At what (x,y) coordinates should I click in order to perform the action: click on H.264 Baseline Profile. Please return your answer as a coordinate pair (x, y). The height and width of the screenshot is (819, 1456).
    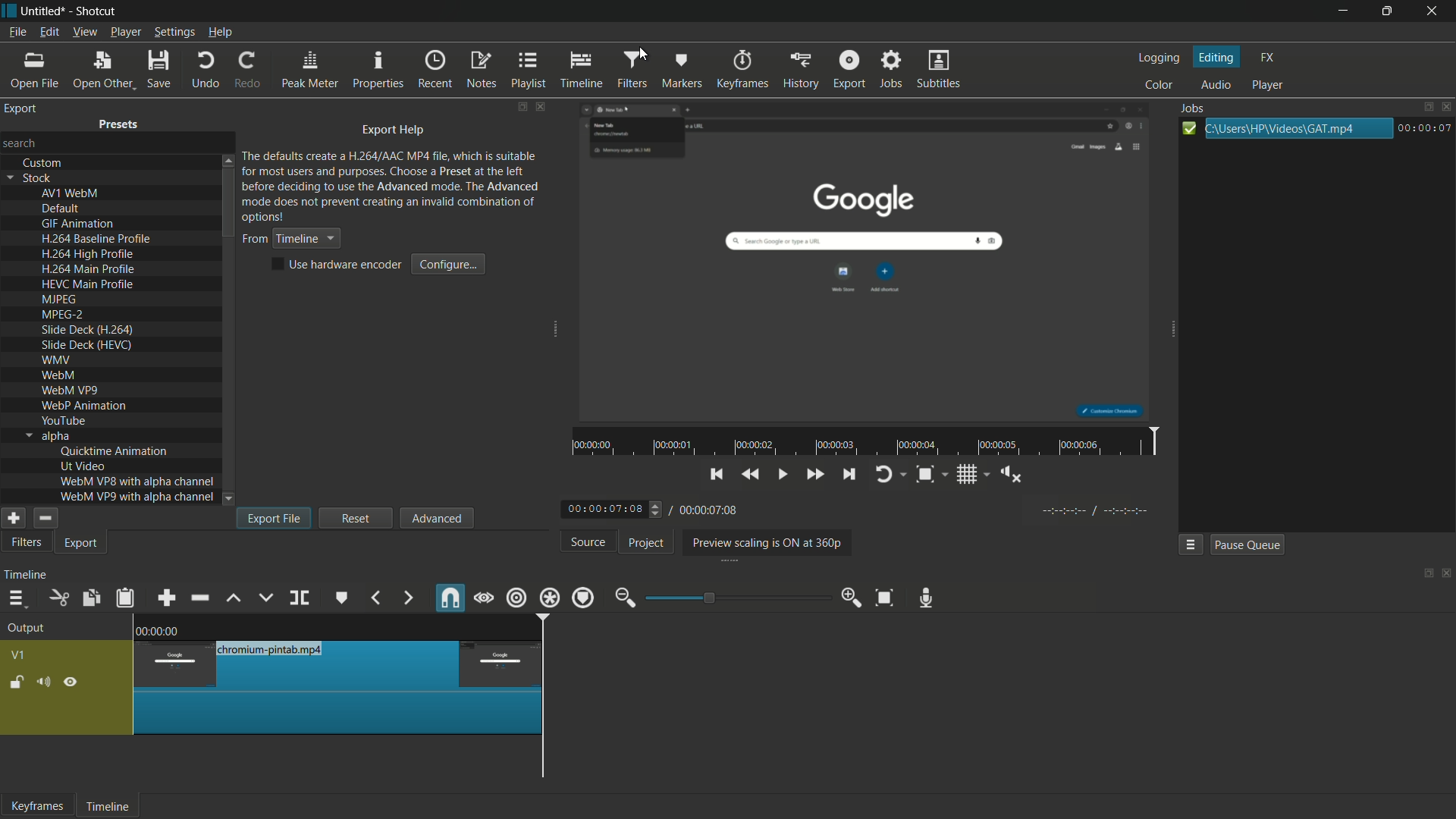
    Looking at the image, I should click on (96, 238).